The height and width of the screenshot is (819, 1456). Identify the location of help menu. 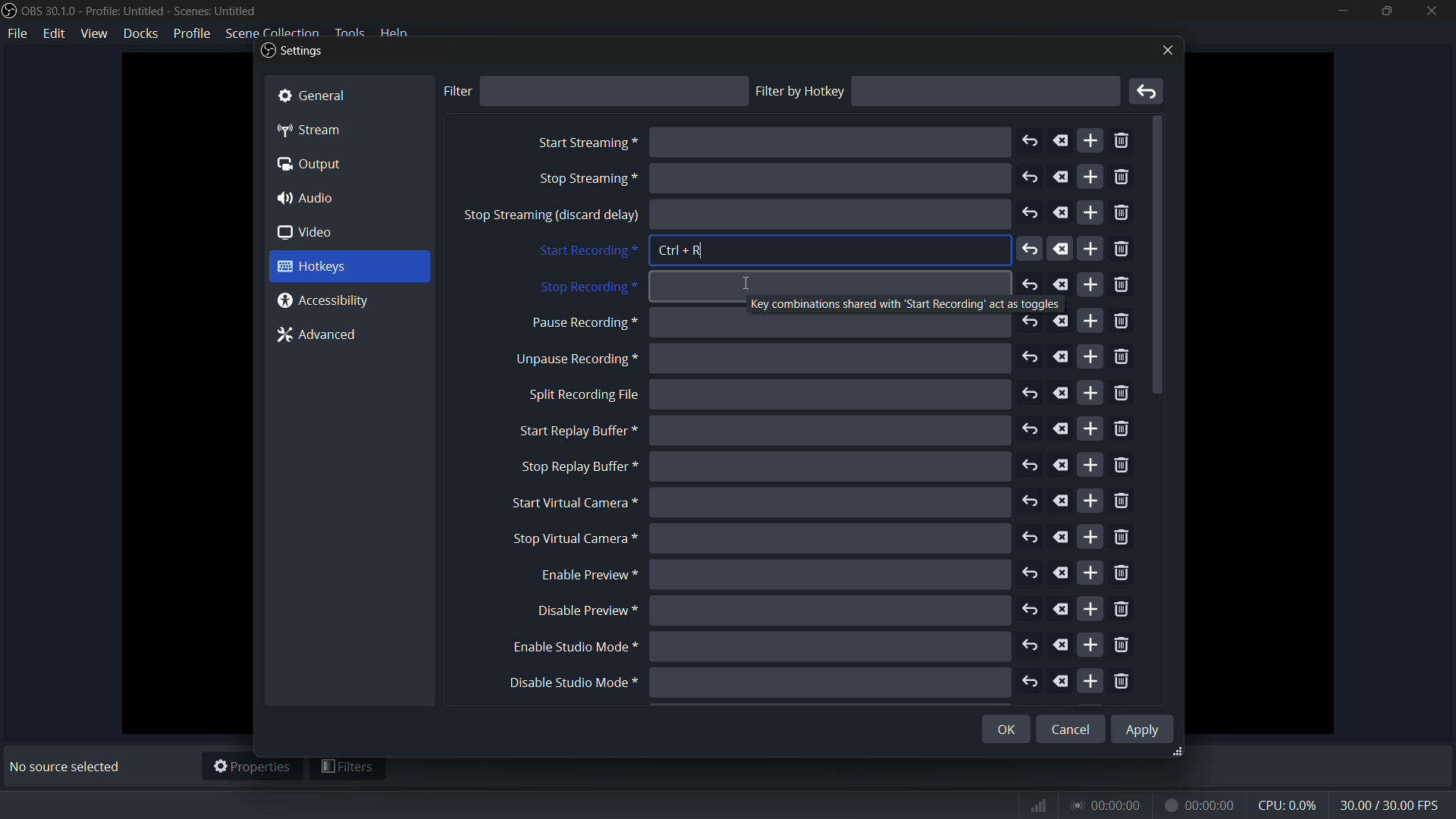
(396, 33).